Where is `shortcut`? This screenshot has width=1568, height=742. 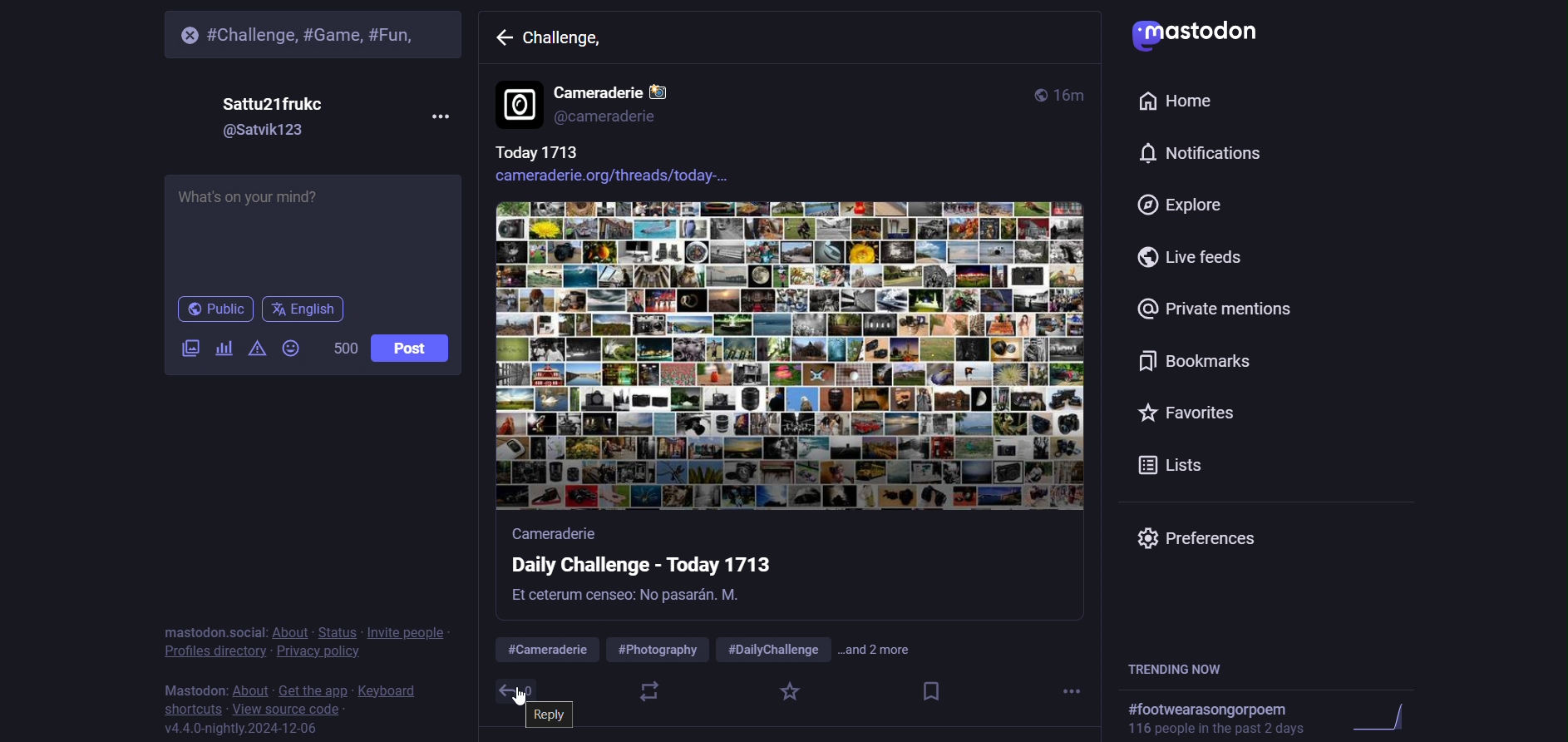
shortcut is located at coordinates (193, 708).